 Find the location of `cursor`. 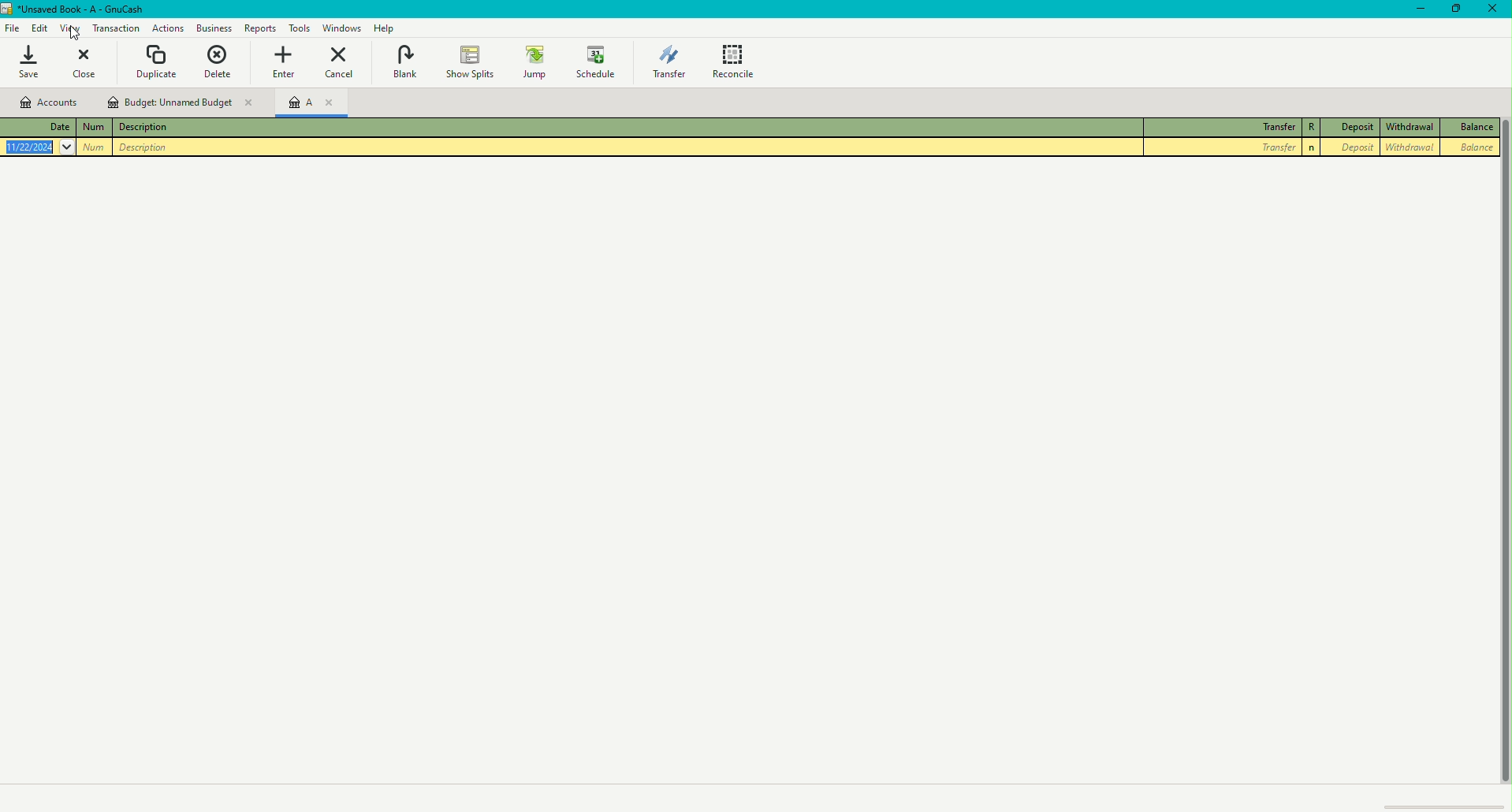

cursor is located at coordinates (78, 32).